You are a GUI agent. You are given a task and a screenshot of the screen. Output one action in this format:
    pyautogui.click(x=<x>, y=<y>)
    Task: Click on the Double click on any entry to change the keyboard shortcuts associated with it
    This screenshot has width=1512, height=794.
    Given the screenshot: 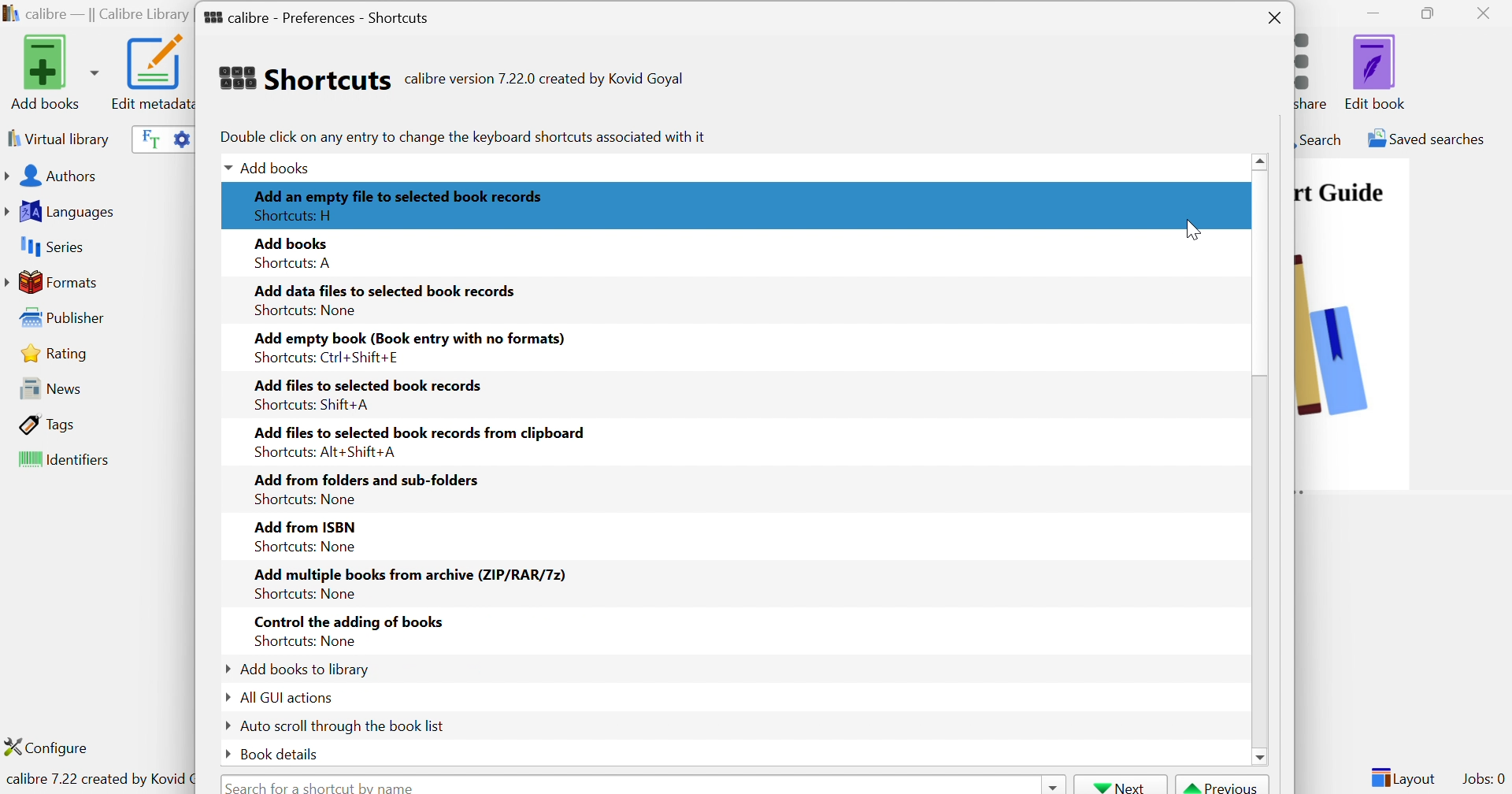 What is the action you would take?
    pyautogui.click(x=461, y=136)
    